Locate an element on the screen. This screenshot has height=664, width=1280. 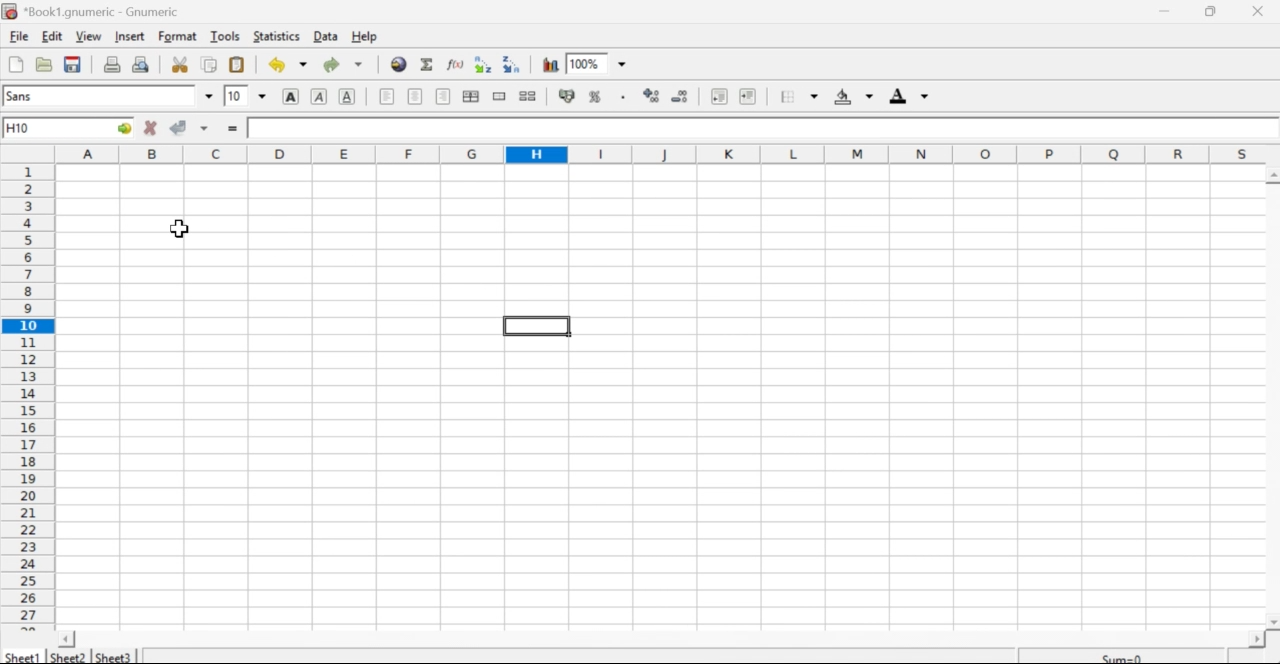
scroll right is located at coordinates (1256, 640).